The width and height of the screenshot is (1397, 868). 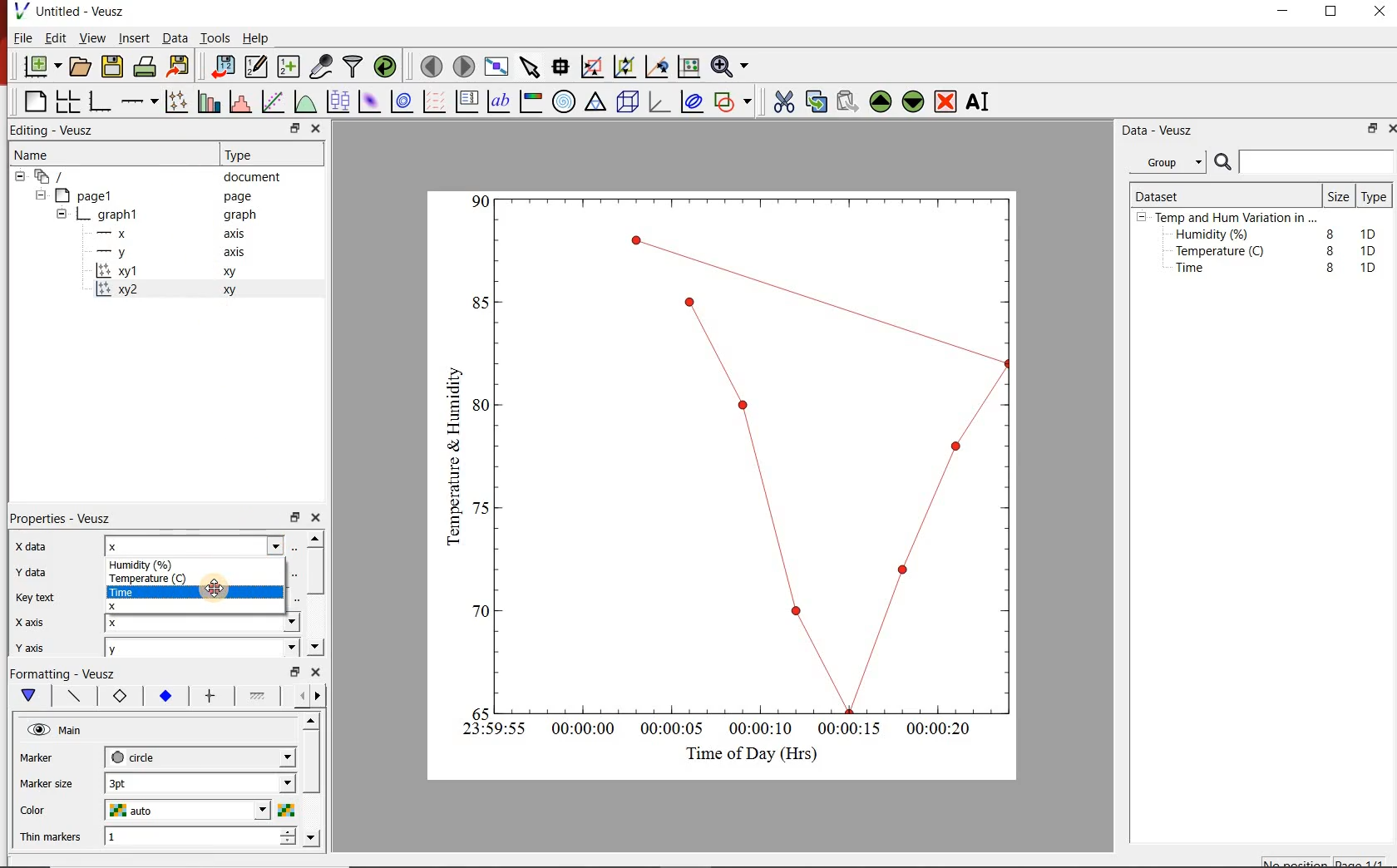 What do you see at coordinates (916, 101) in the screenshot?
I see `Move the selected widget down` at bounding box center [916, 101].